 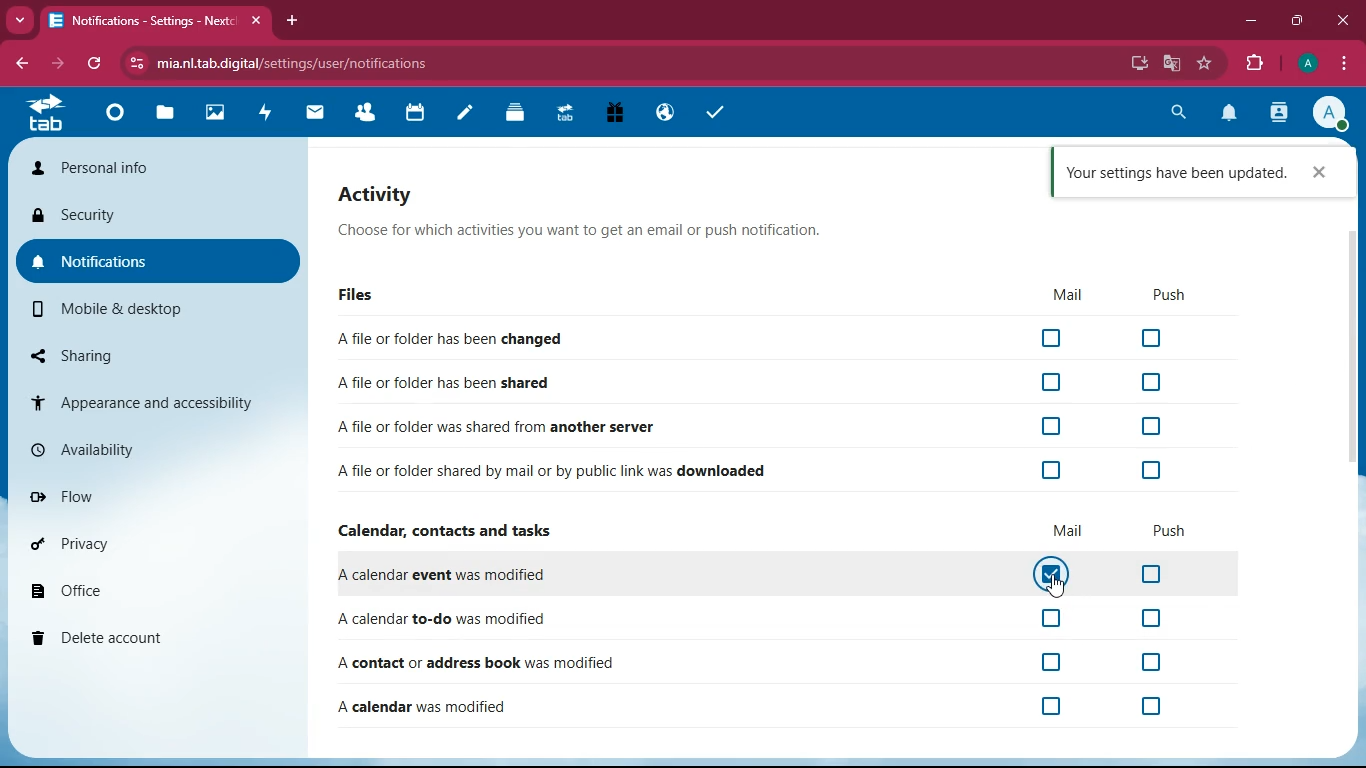 I want to click on Choose for which activities you want to get an email or push notification., so click(x=616, y=231).